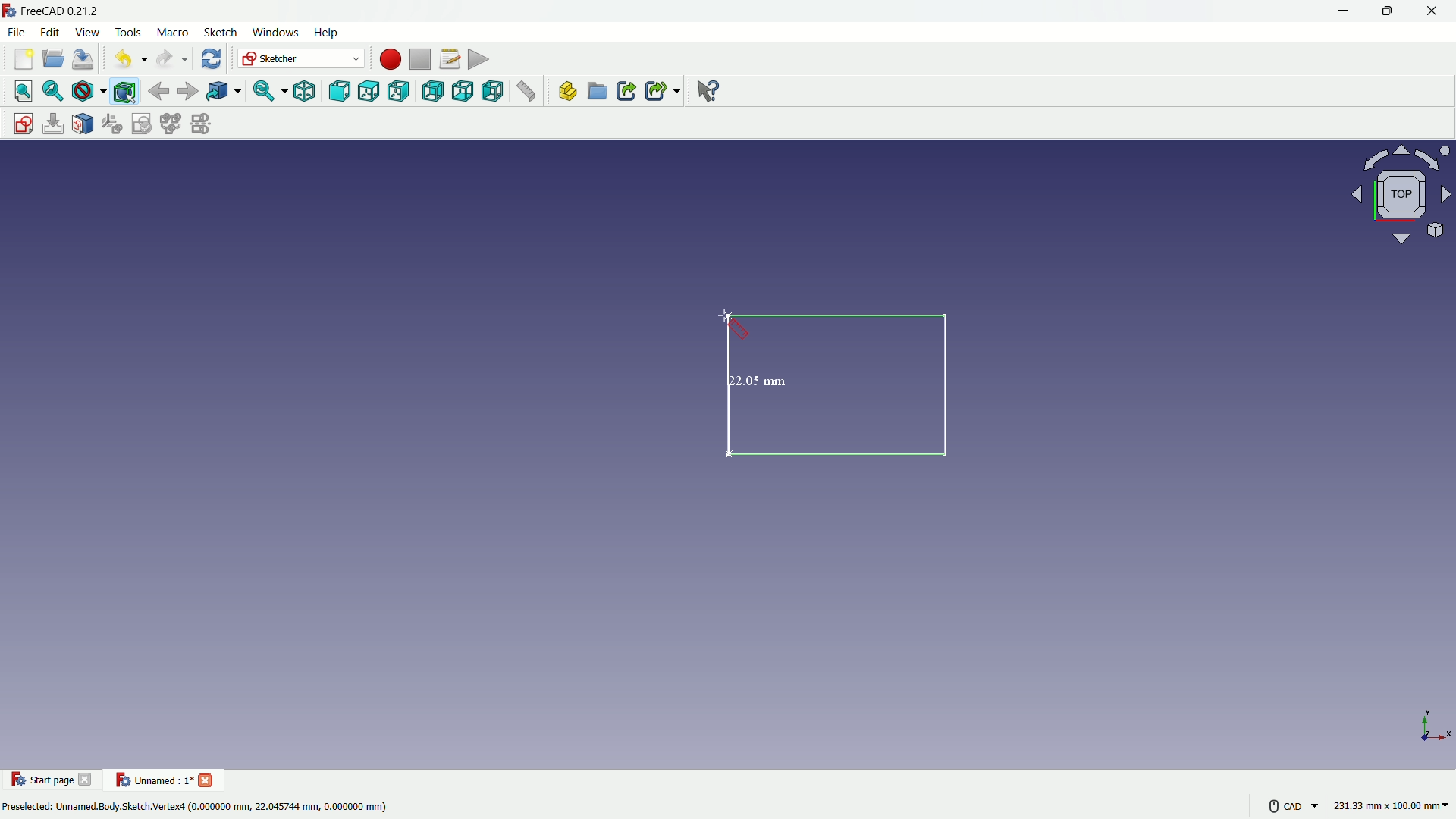  Describe the element at coordinates (300, 91) in the screenshot. I see `isometric view` at that location.